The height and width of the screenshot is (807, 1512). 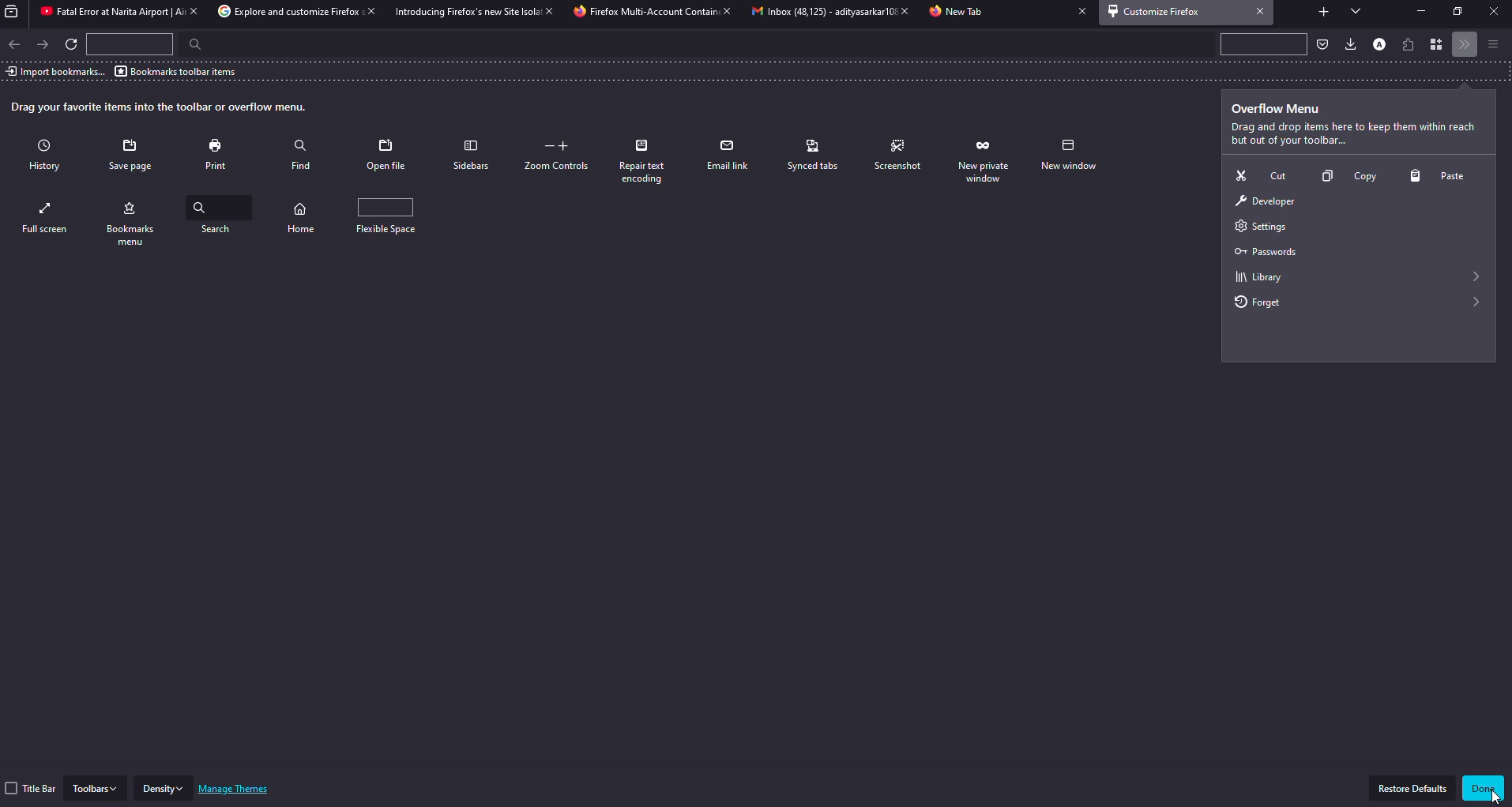 I want to click on restore defaults, so click(x=1413, y=788).